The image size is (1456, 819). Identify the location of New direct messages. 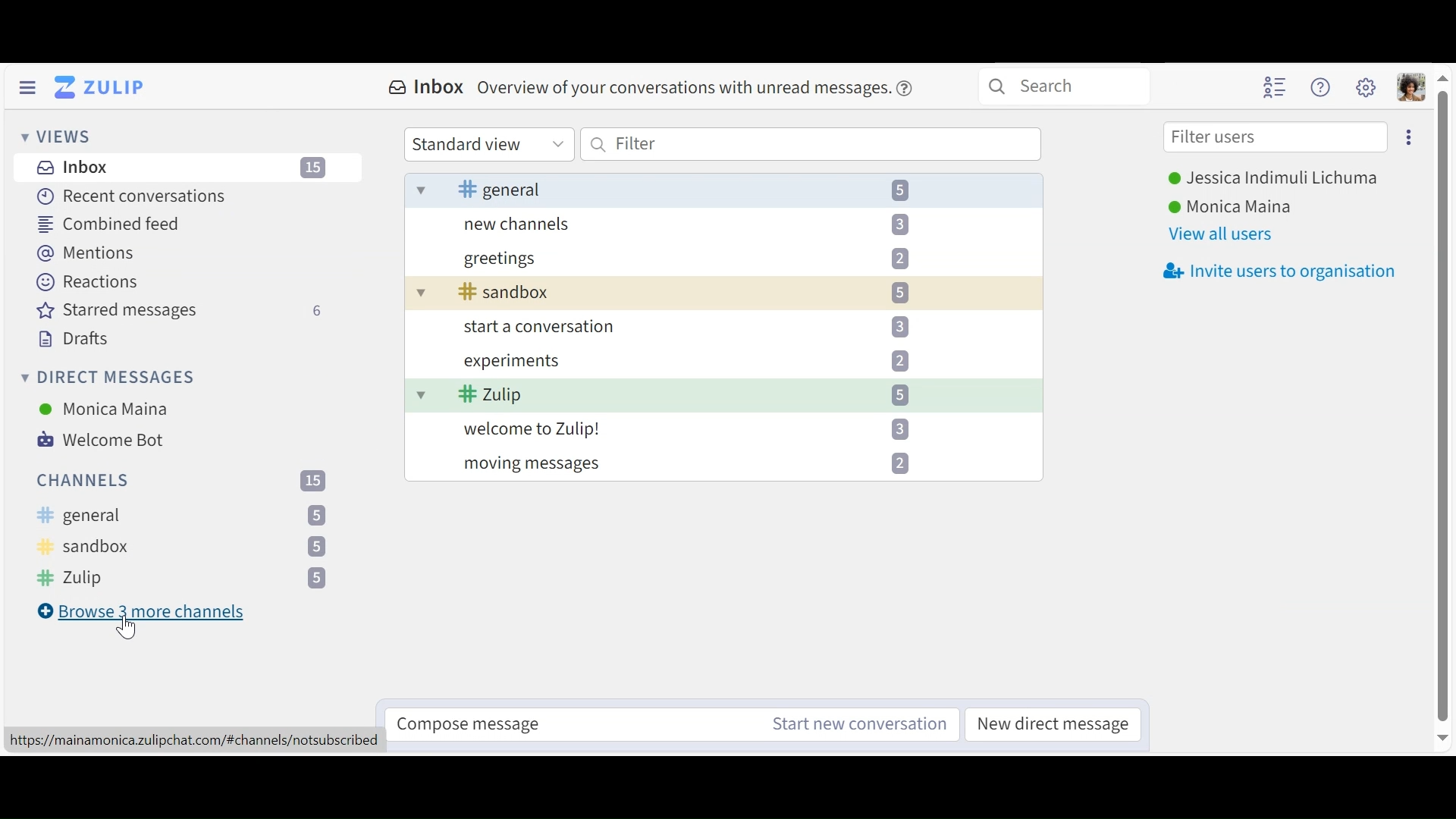
(1055, 723).